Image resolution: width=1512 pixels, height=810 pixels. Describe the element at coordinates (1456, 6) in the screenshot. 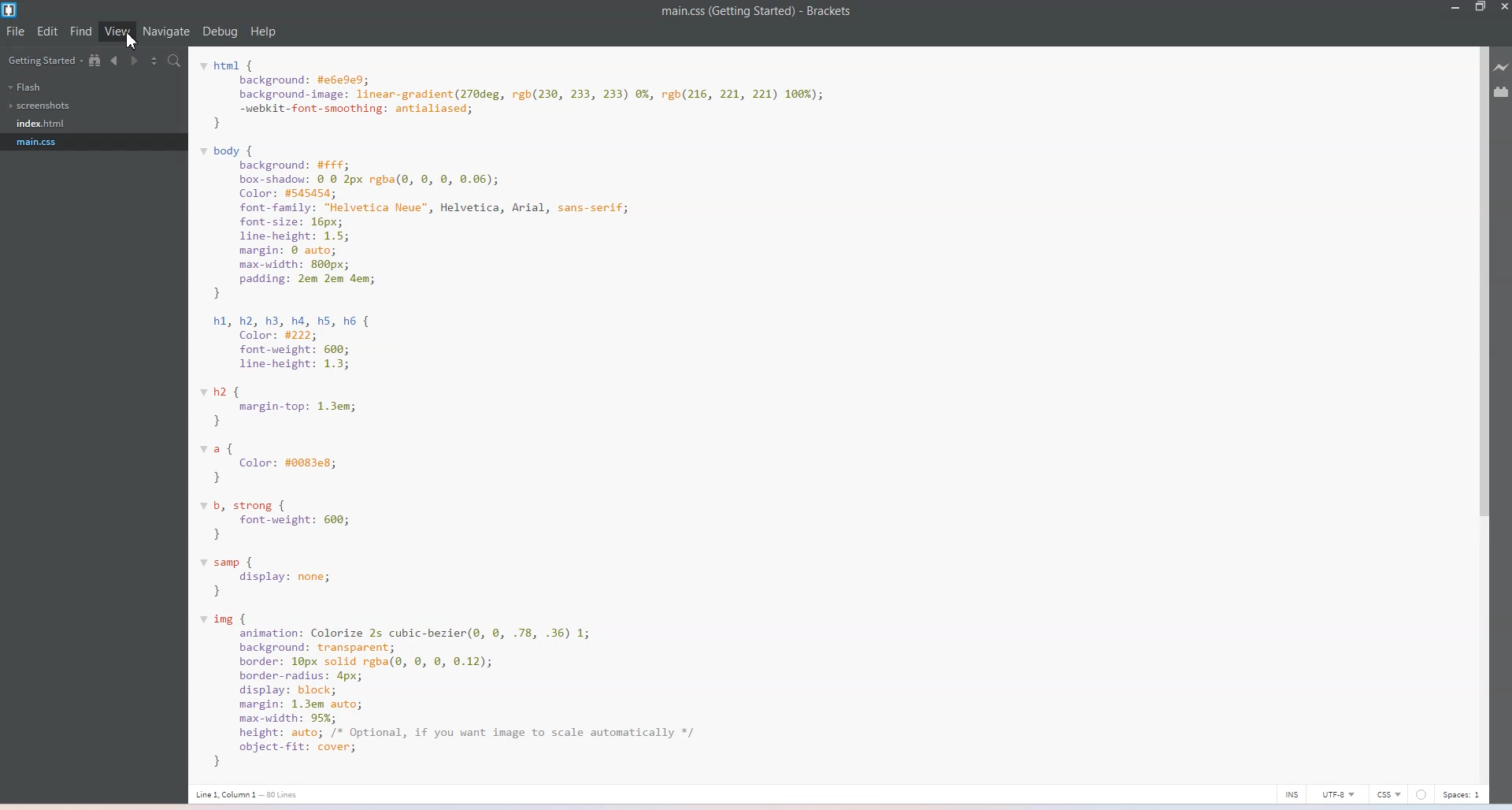

I see `Minimize` at that location.